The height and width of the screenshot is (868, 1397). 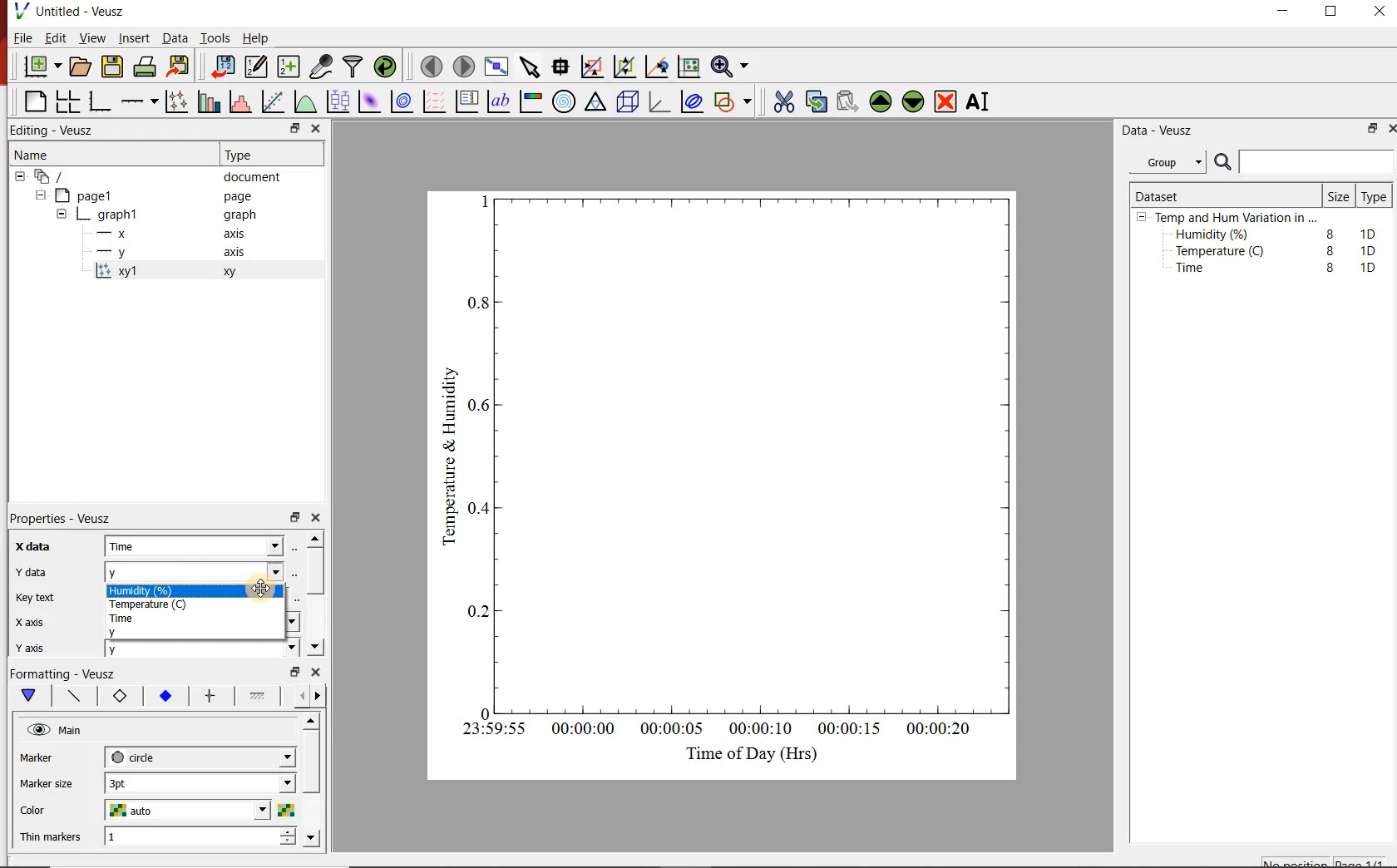 I want to click on x data, so click(x=42, y=542).